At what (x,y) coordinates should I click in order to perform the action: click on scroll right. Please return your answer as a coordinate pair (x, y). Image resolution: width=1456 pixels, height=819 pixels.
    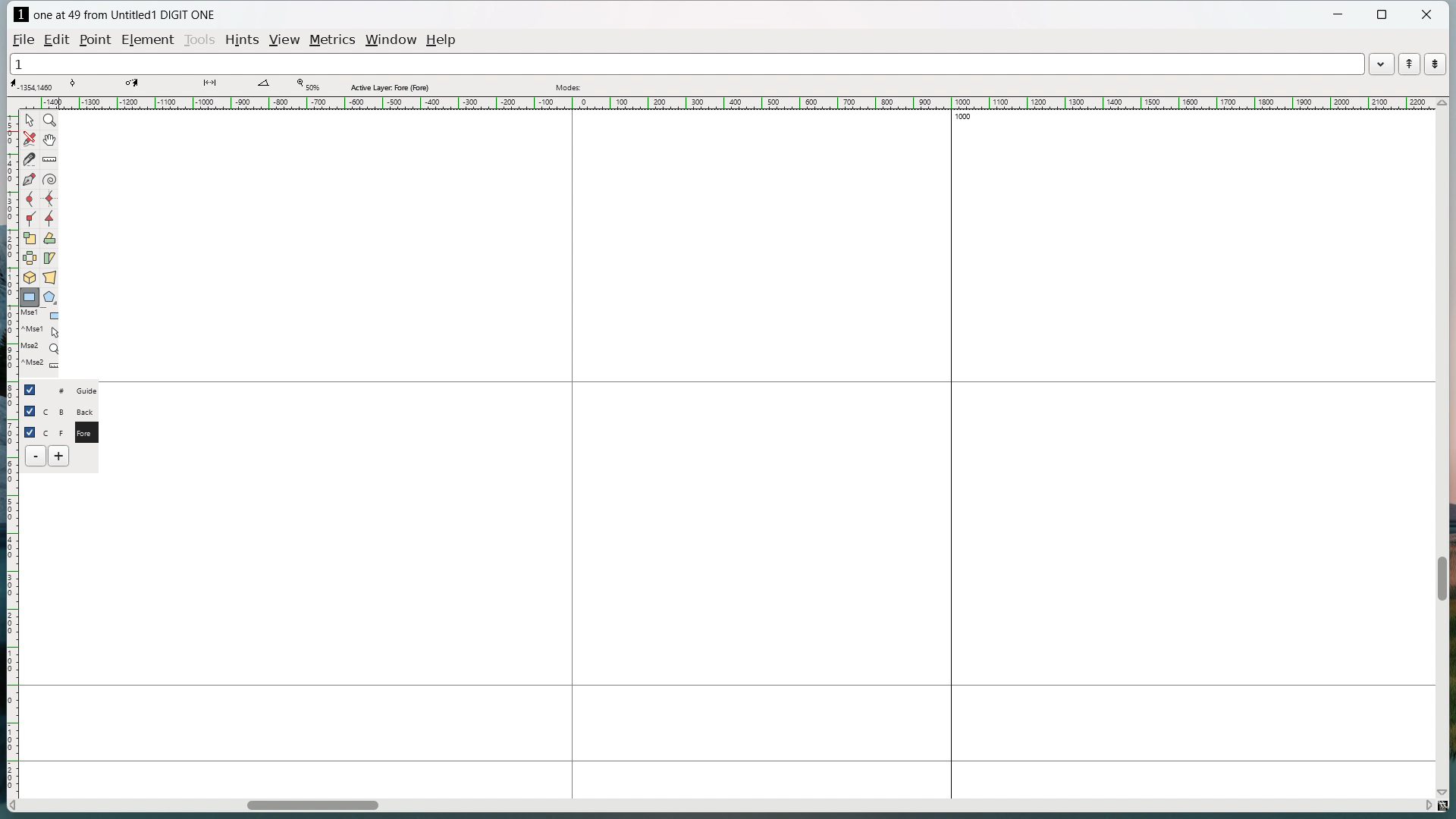
    Looking at the image, I should click on (1426, 804).